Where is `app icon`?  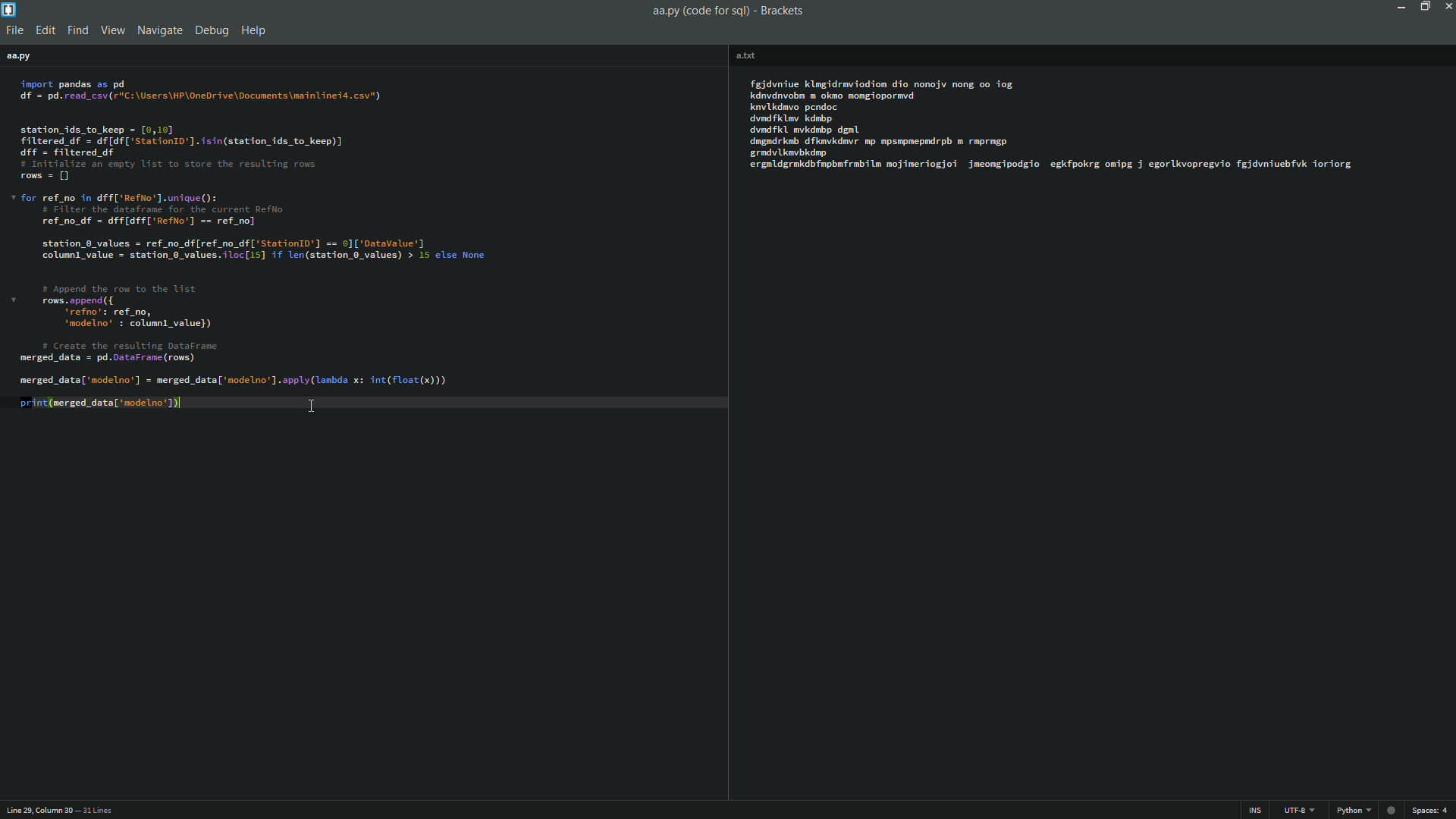
app icon is located at coordinates (10, 10).